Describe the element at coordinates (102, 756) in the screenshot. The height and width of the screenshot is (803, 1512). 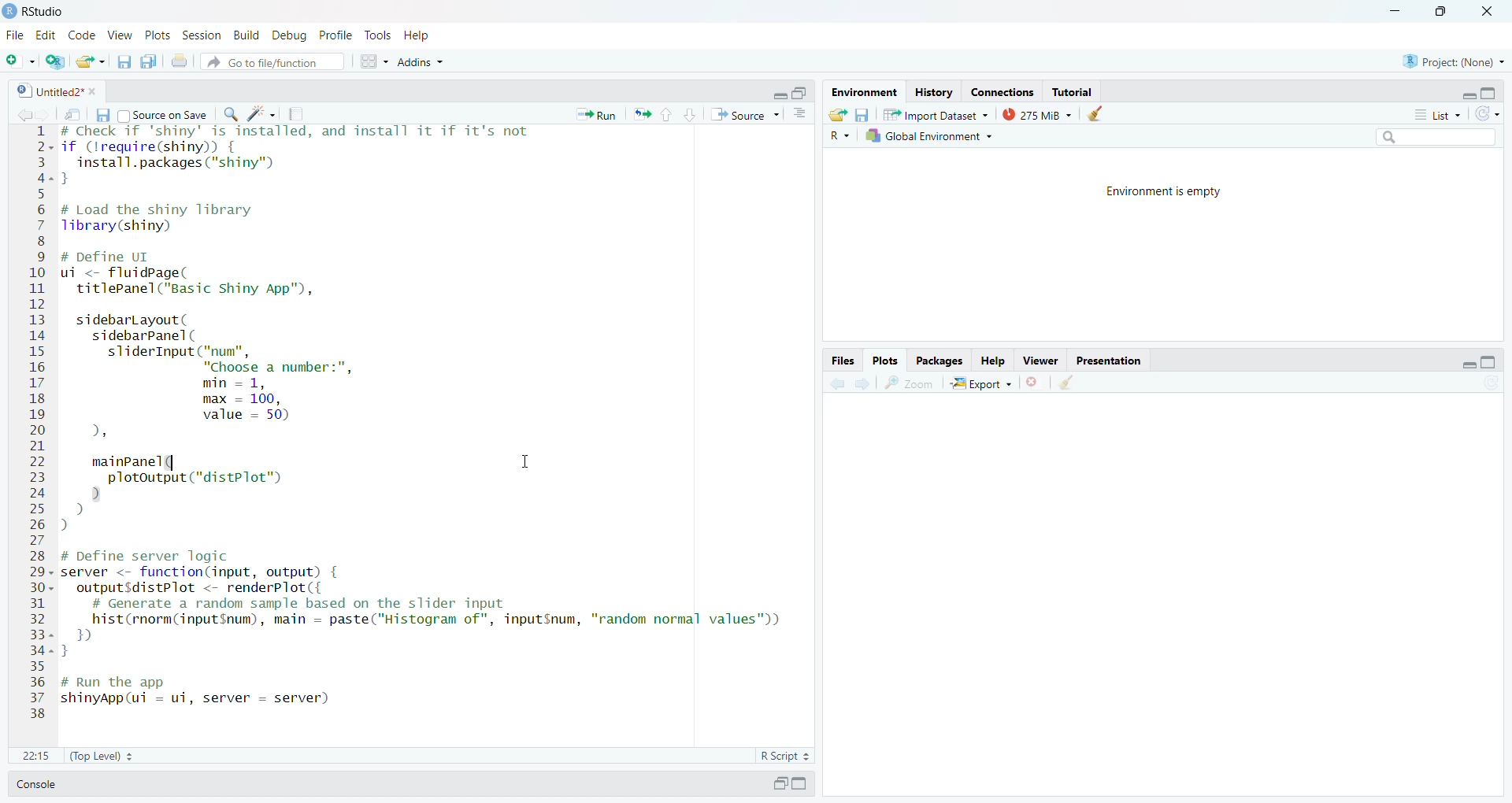
I see `(Top Level)` at that location.